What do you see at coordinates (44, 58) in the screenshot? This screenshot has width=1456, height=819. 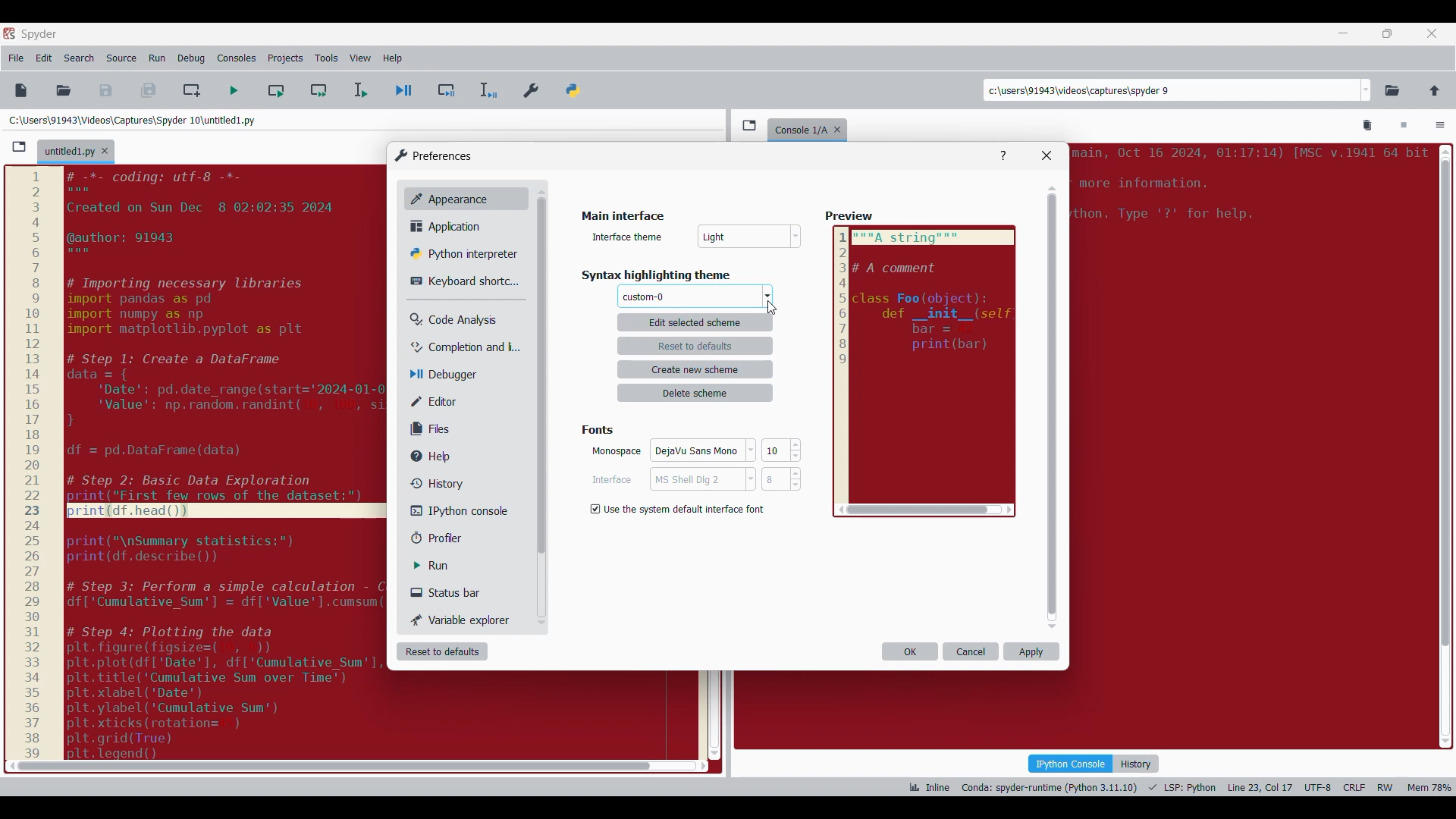 I see `Edit menu` at bounding box center [44, 58].